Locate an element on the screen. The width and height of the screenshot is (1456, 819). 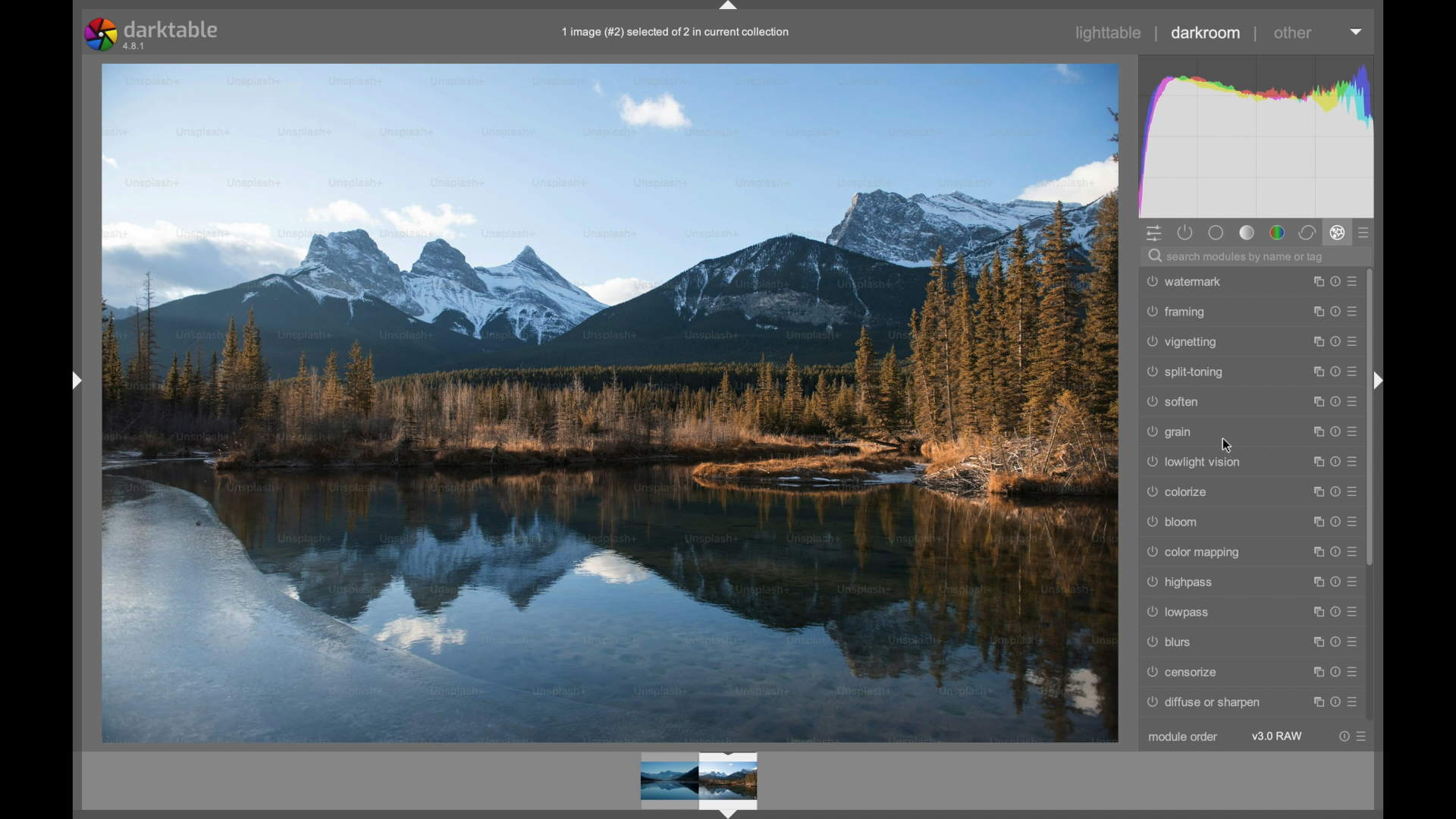
module order is located at coordinates (1182, 738).